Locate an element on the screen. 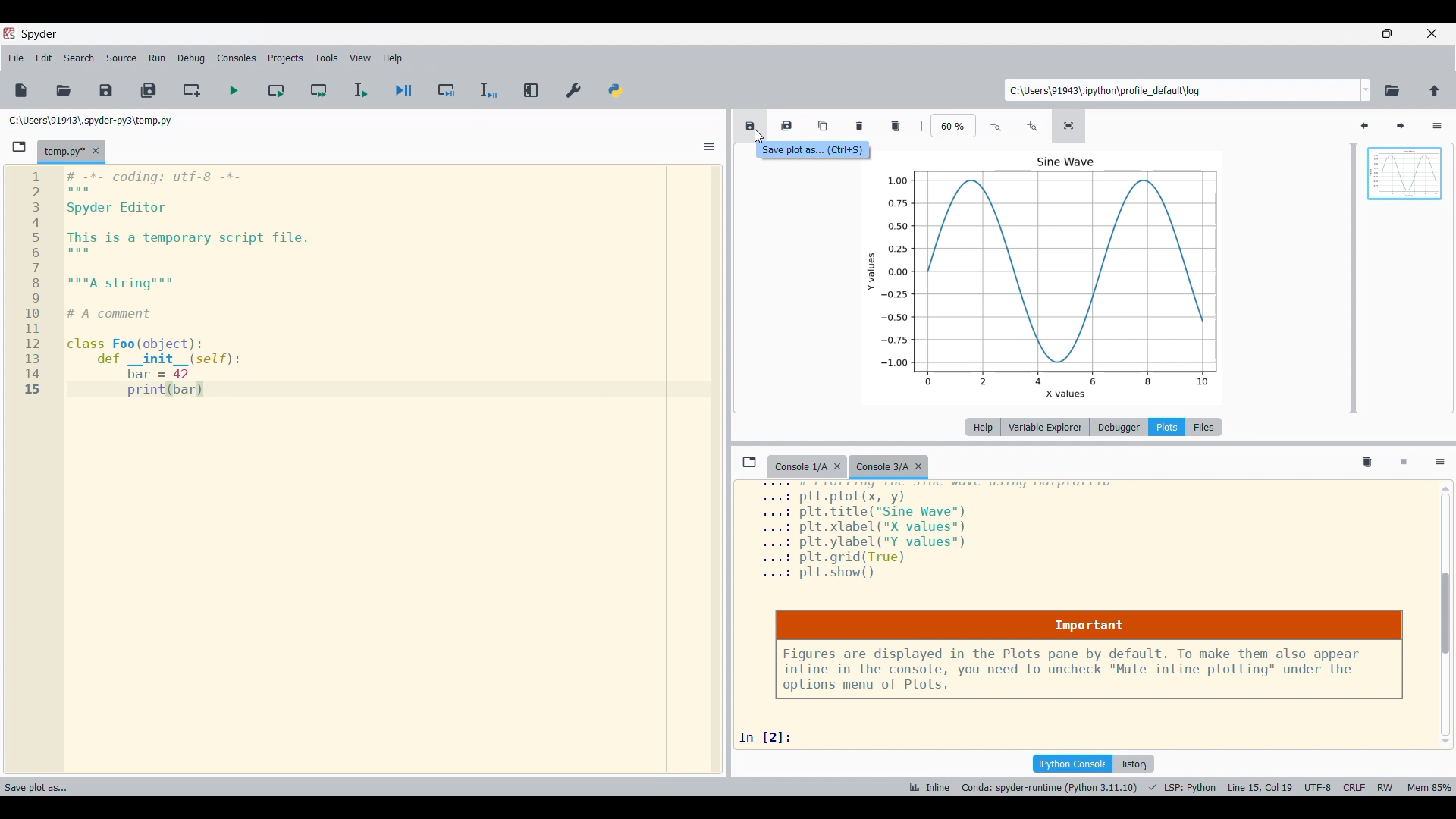 This screenshot has width=1456, height=819. Remove all variables from namespace is located at coordinates (1367, 463).